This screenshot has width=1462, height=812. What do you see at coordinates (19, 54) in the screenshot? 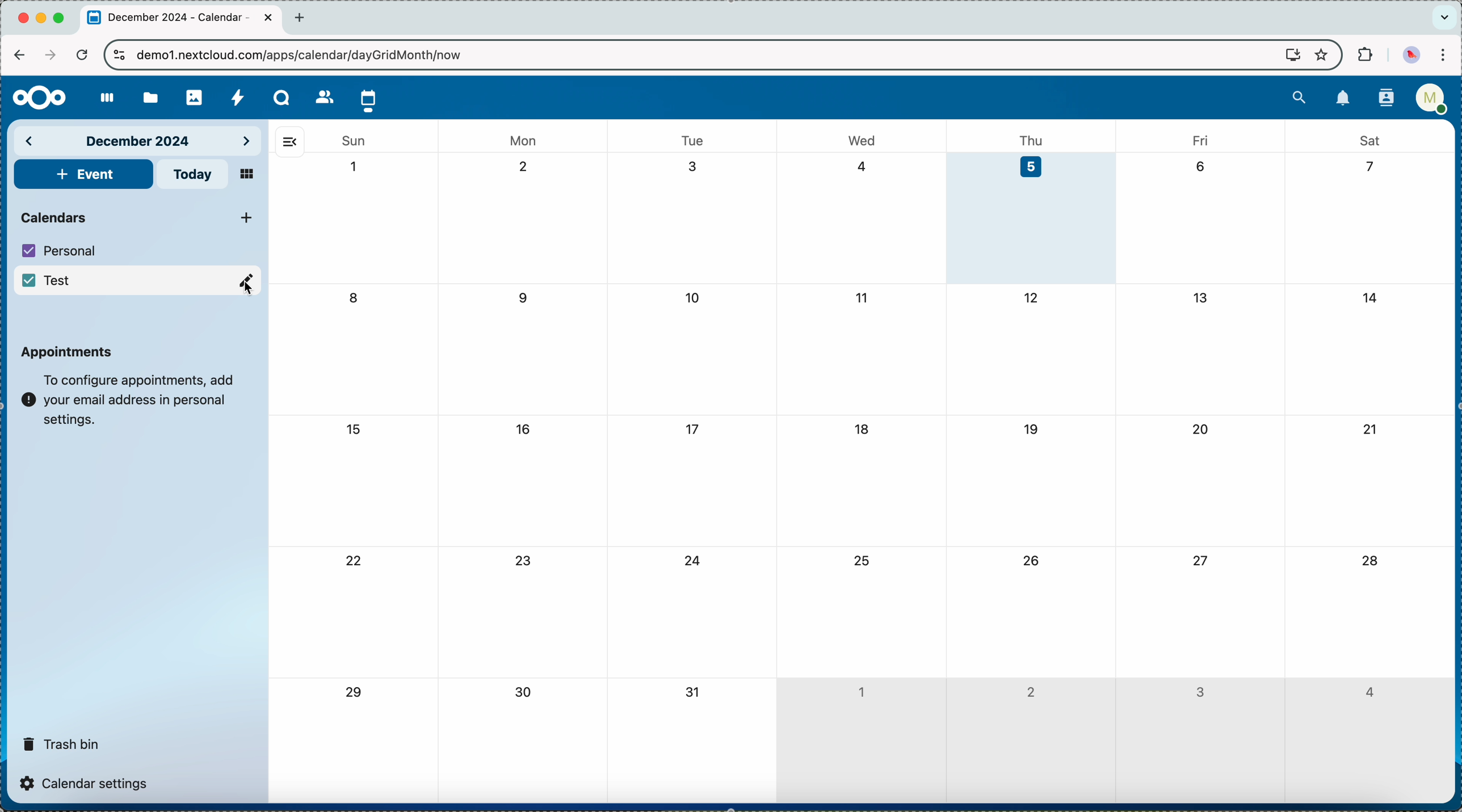
I see `navigate back` at bounding box center [19, 54].